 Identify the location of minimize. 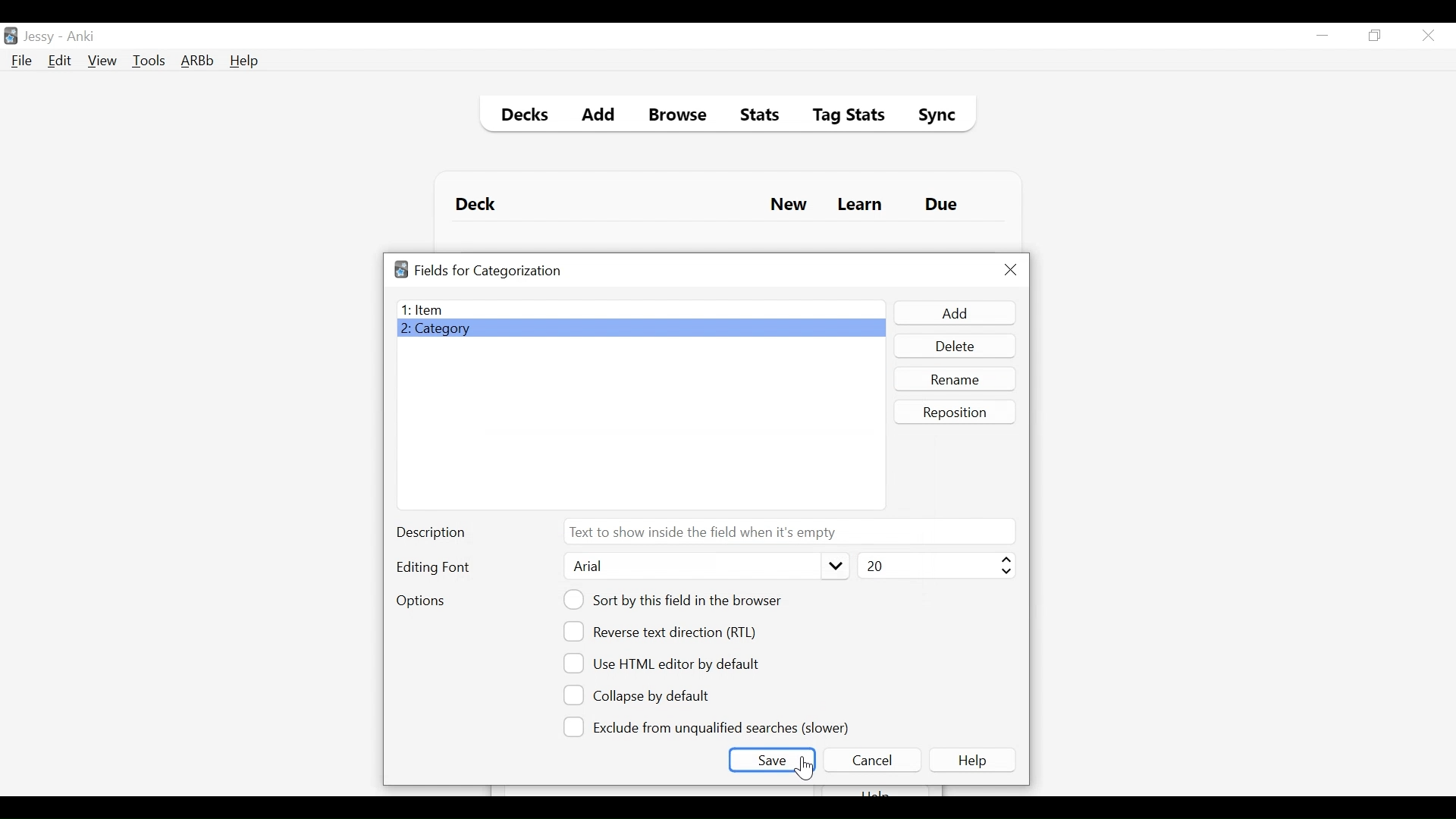
(1322, 36).